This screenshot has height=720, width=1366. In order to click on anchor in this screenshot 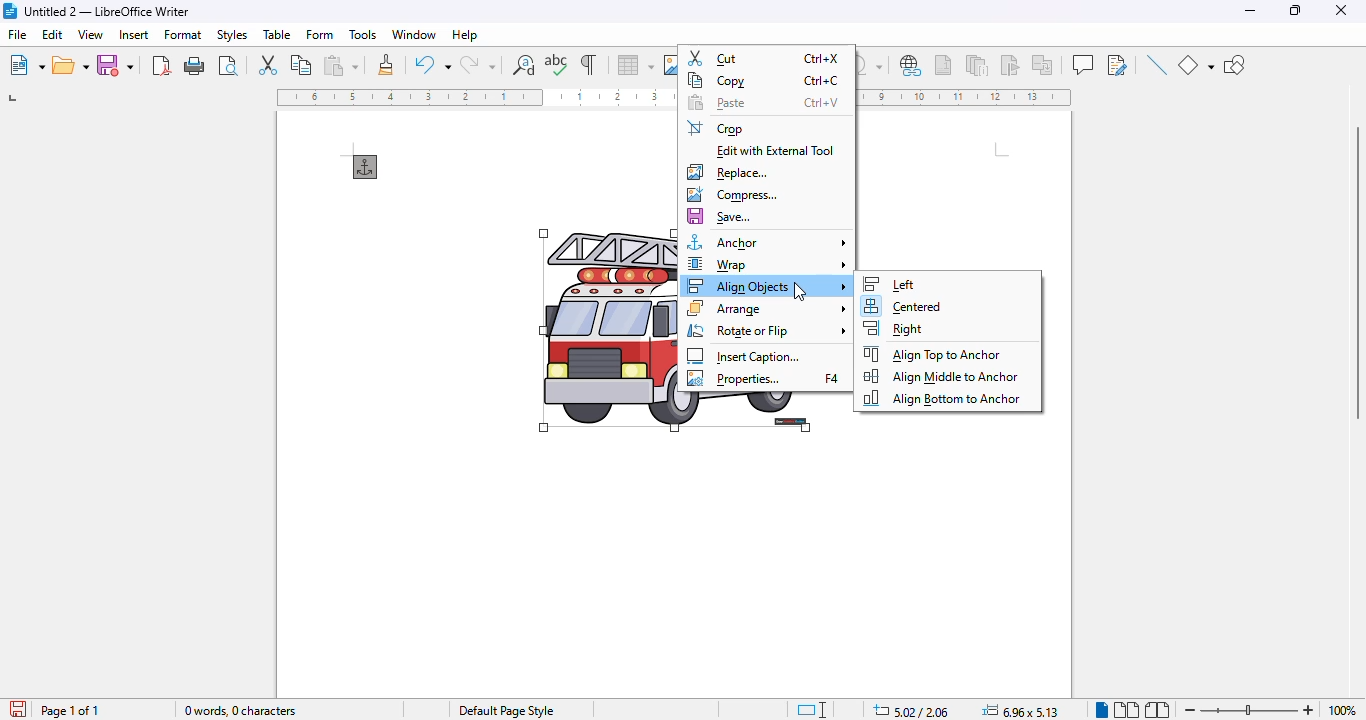, I will do `click(366, 167)`.